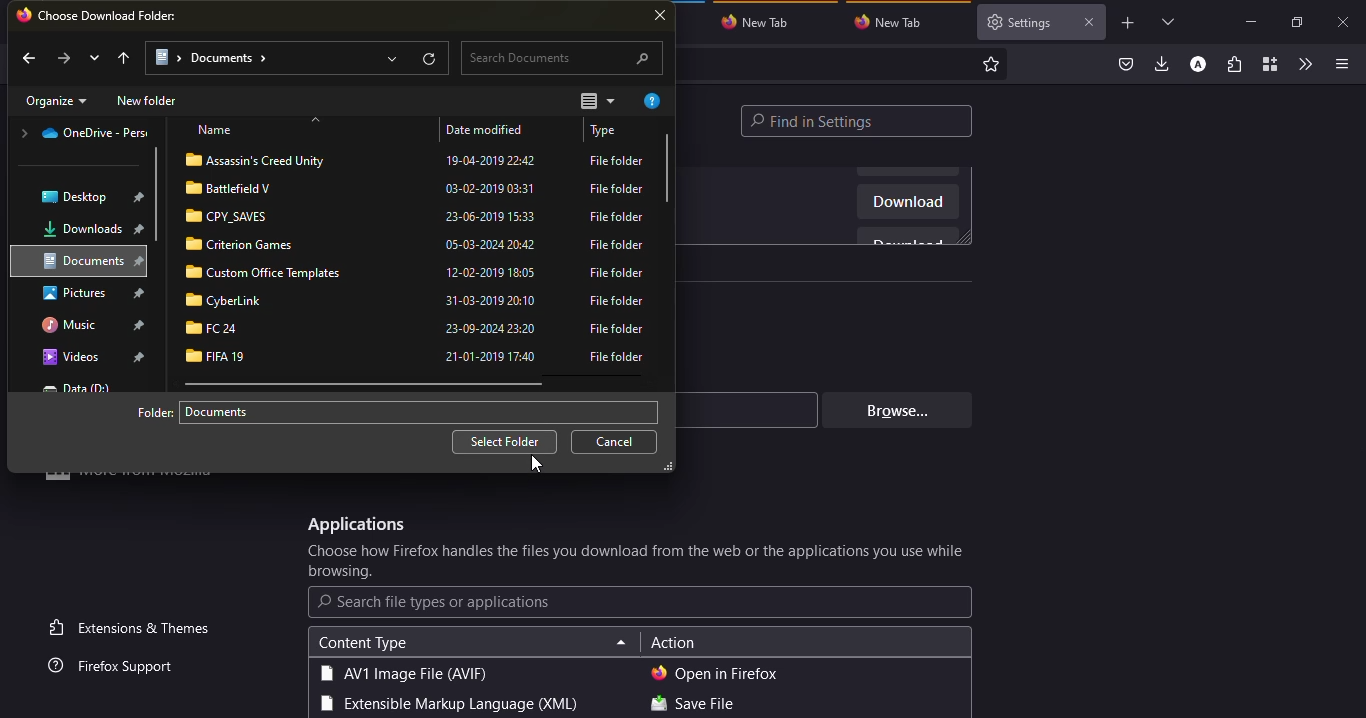  I want to click on location selected, so click(223, 412).